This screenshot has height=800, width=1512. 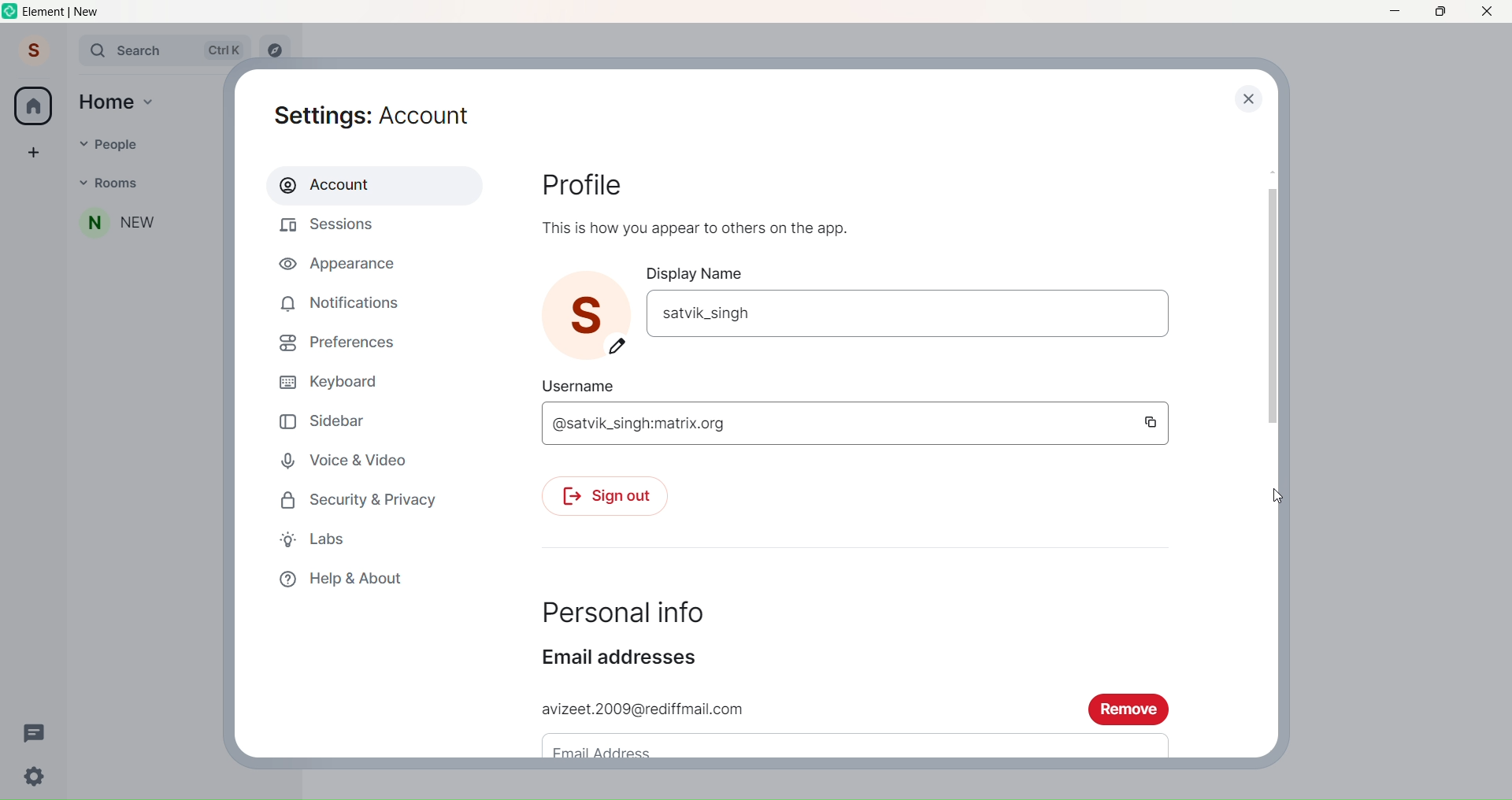 I want to click on Threads, so click(x=35, y=731).